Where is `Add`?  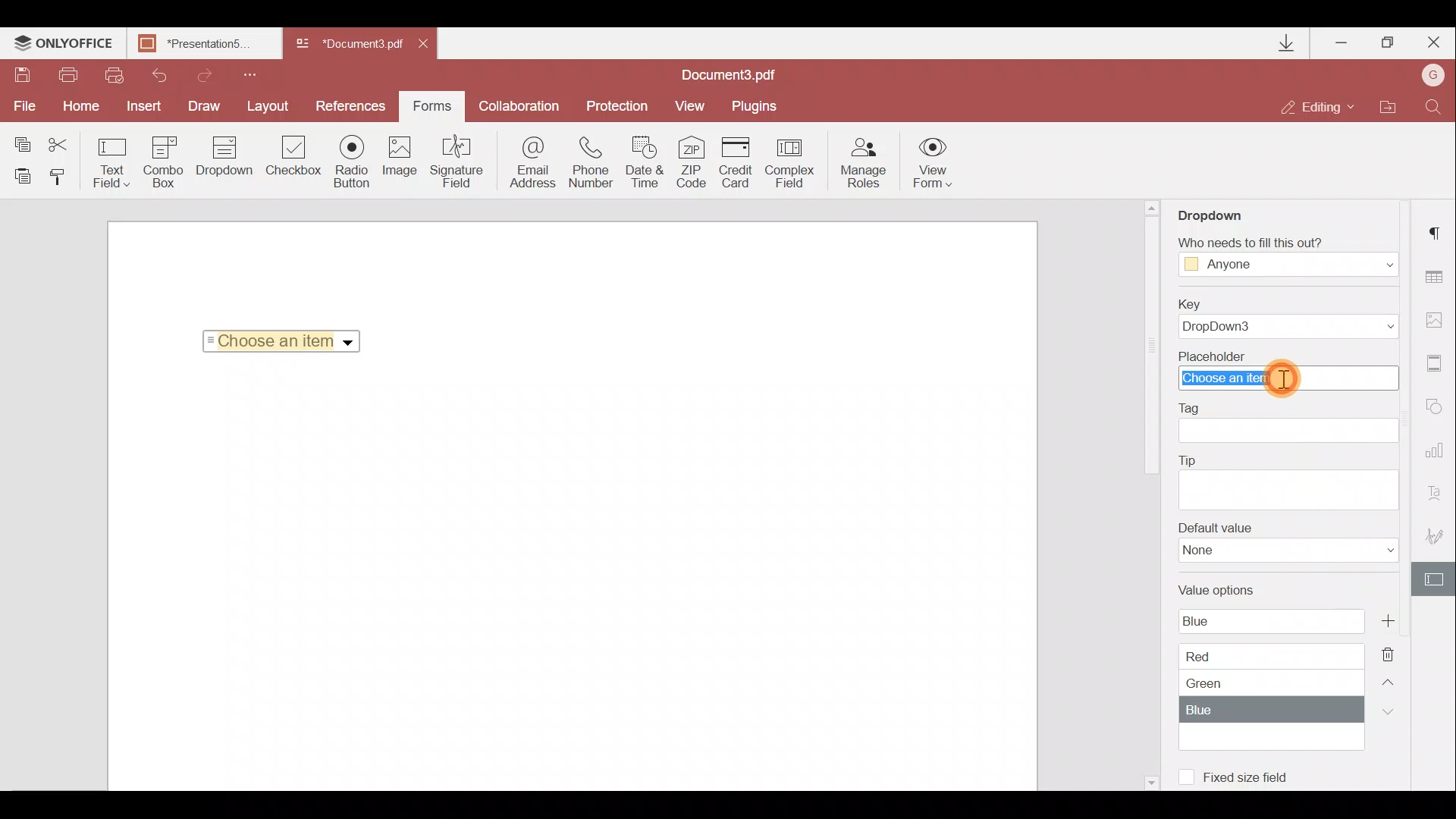 Add is located at coordinates (1387, 620).